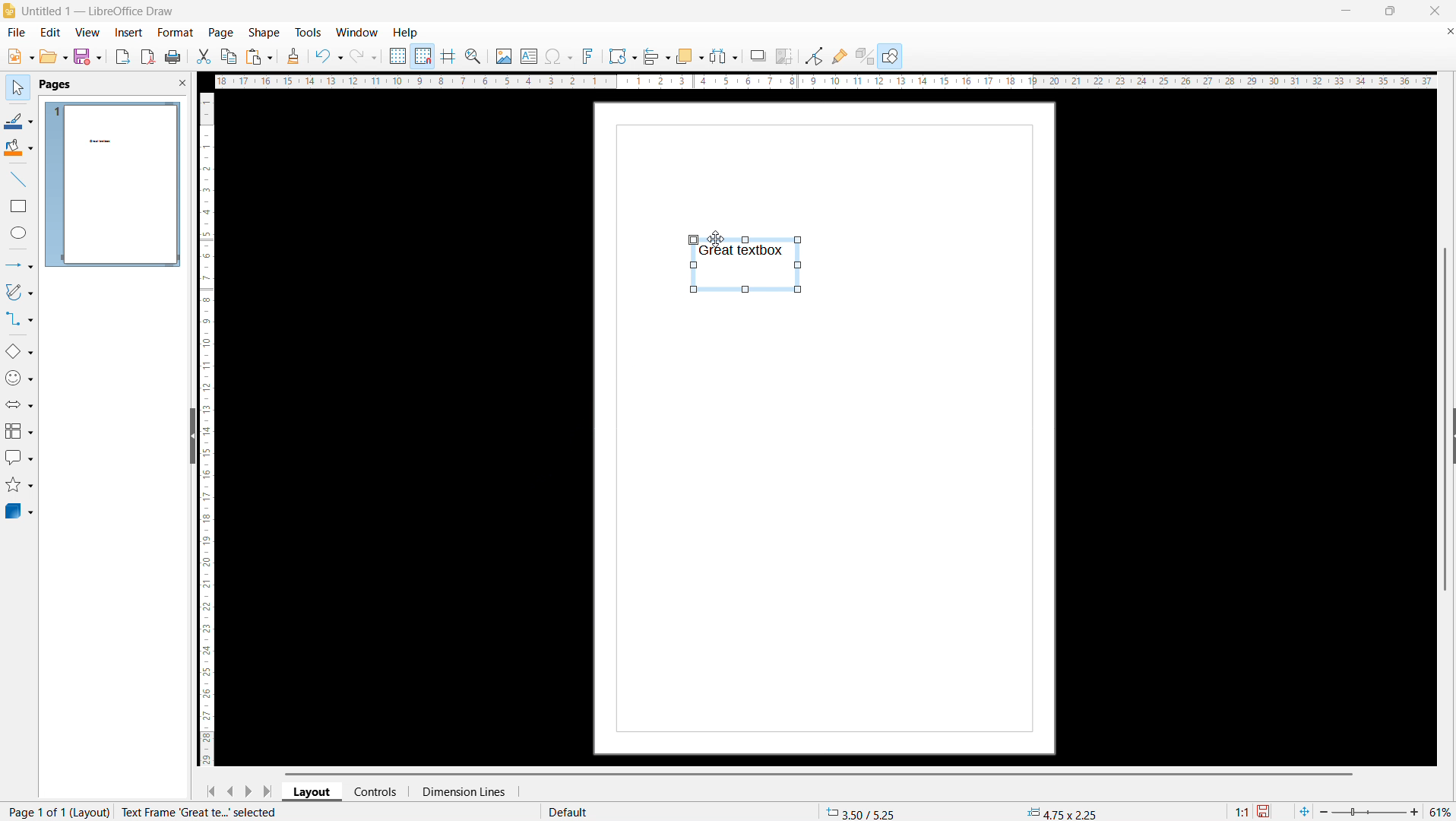 This screenshot has height=821, width=1456. I want to click on stars and banners, so click(19, 485).